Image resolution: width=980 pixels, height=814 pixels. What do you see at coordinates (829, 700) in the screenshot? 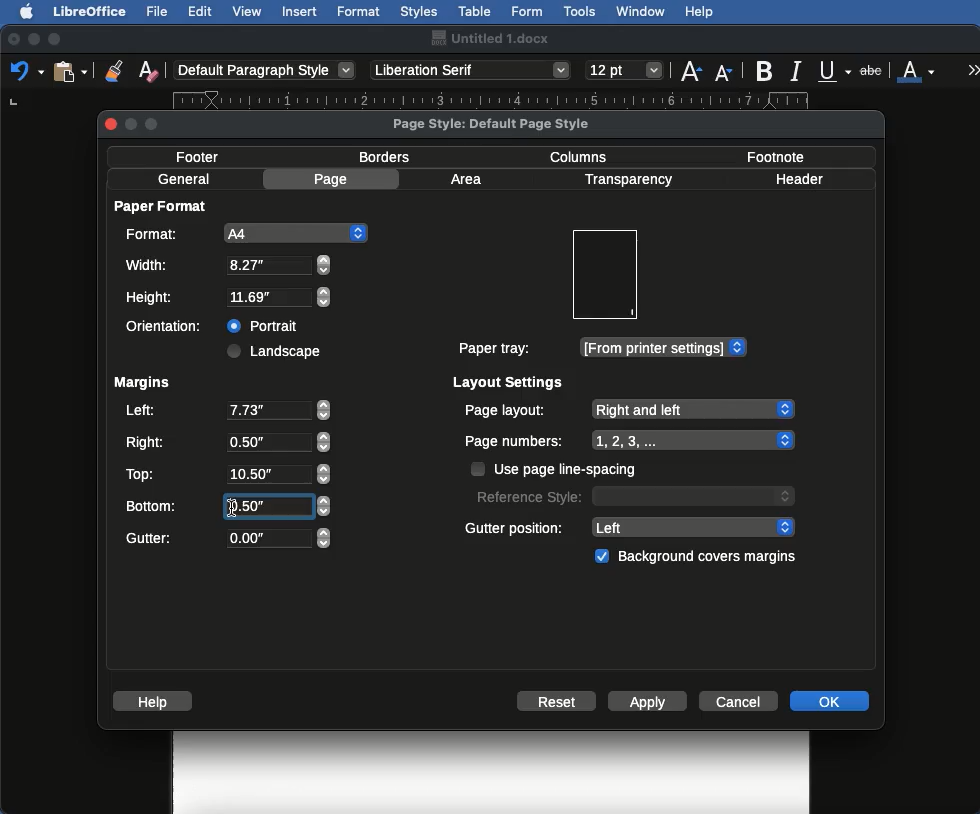
I see `OK` at bounding box center [829, 700].